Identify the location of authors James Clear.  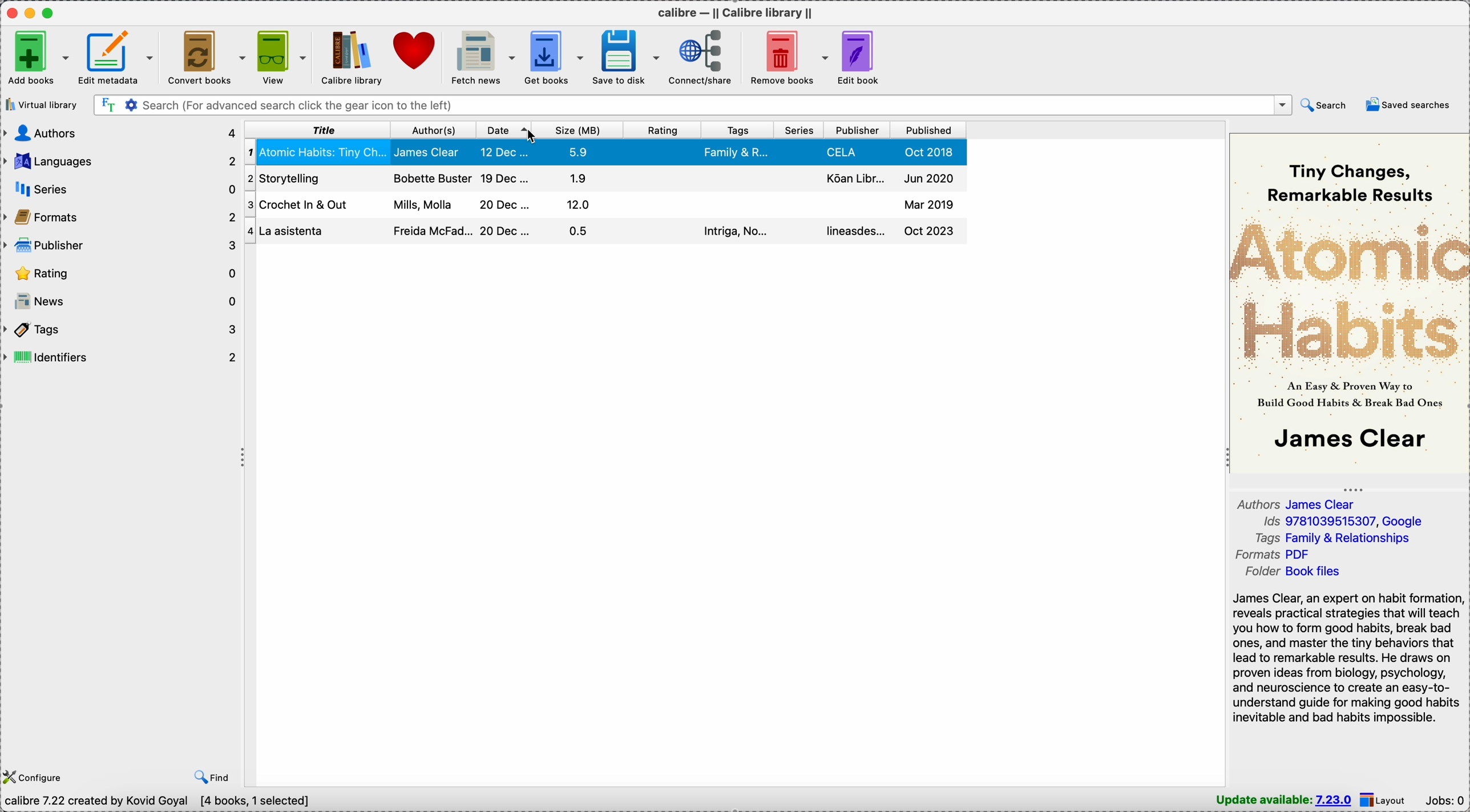
(1298, 503).